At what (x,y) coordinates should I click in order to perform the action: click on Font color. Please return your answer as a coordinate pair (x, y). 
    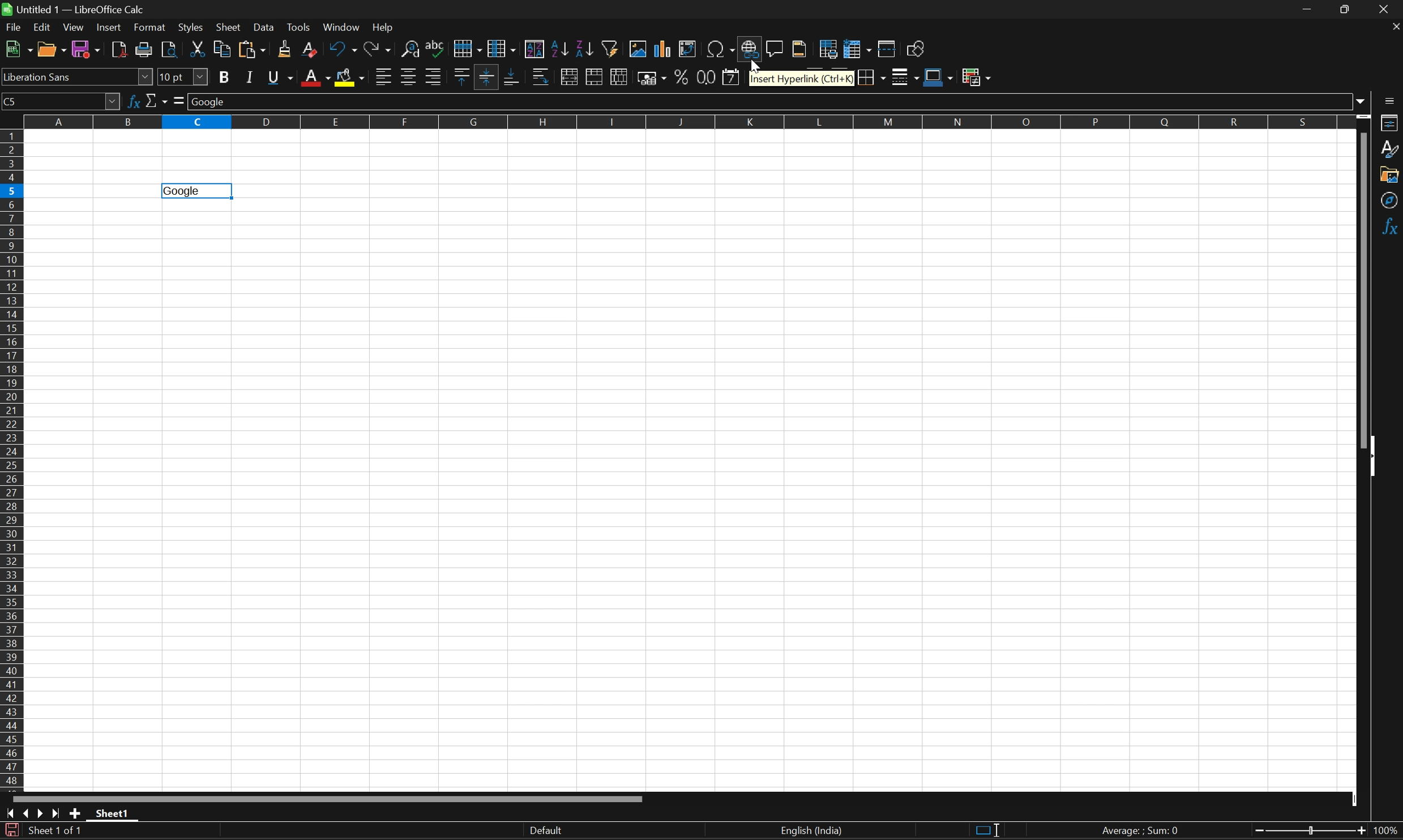
    Looking at the image, I should click on (314, 78).